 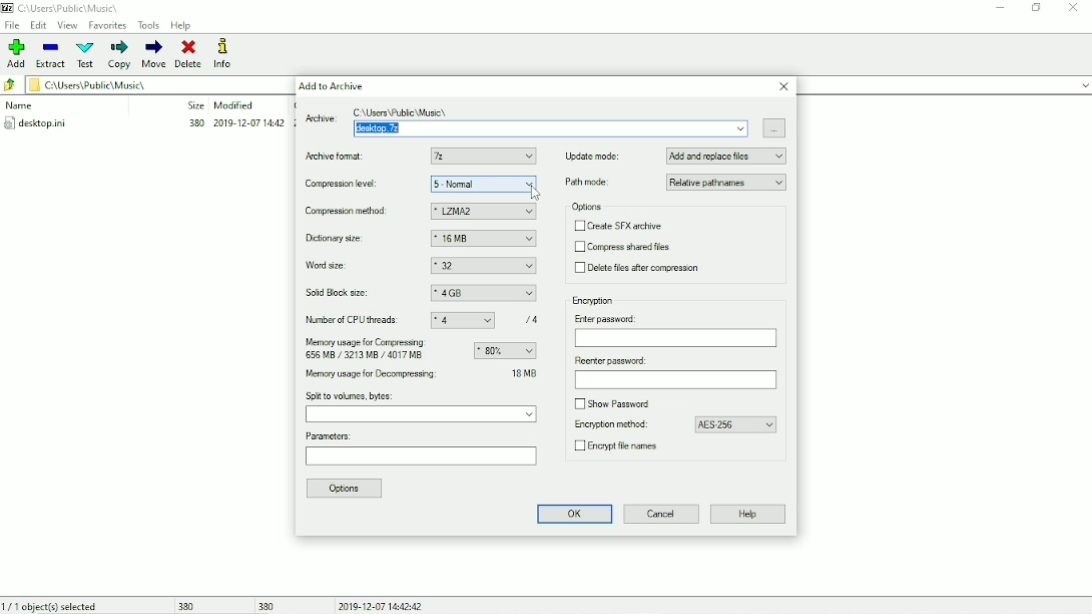 What do you see at coordinates (620, 226) in the screenshot?
I see `Create SFX archive` at bounding box center [620, 226].